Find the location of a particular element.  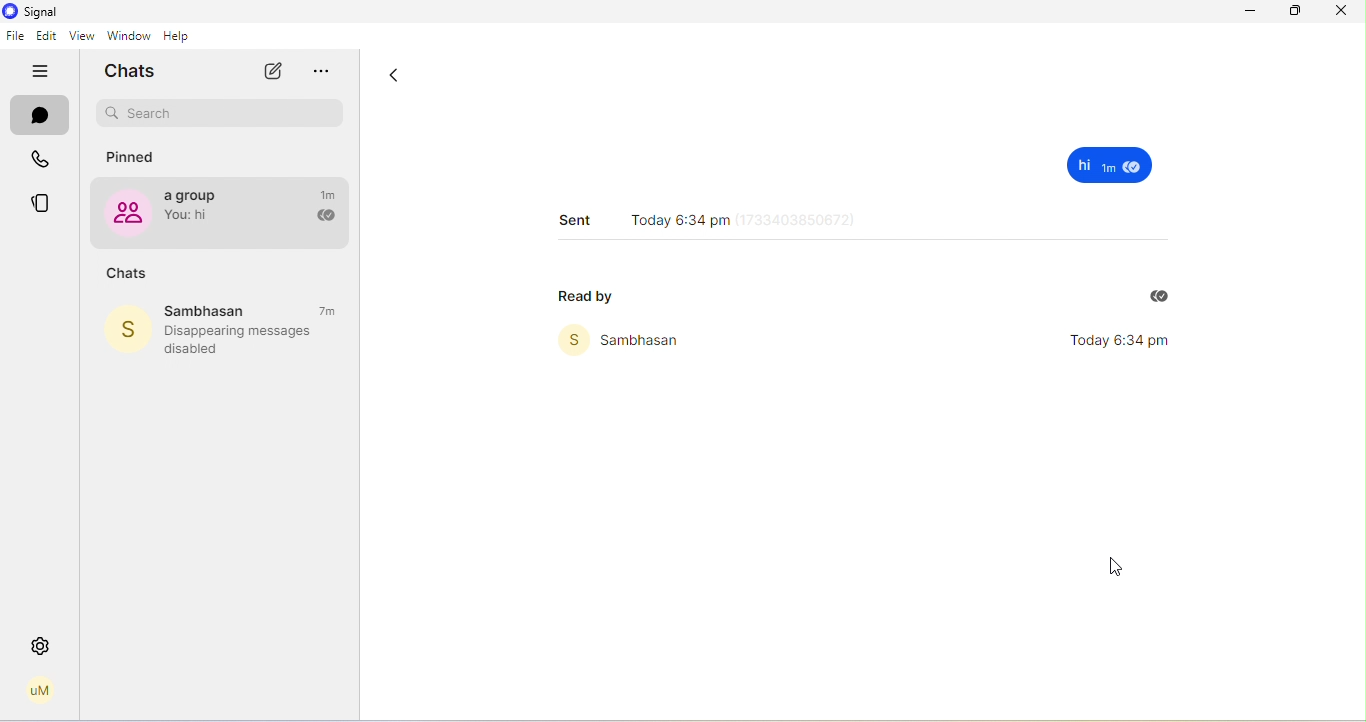

settings is located at coordinates (41, 646).